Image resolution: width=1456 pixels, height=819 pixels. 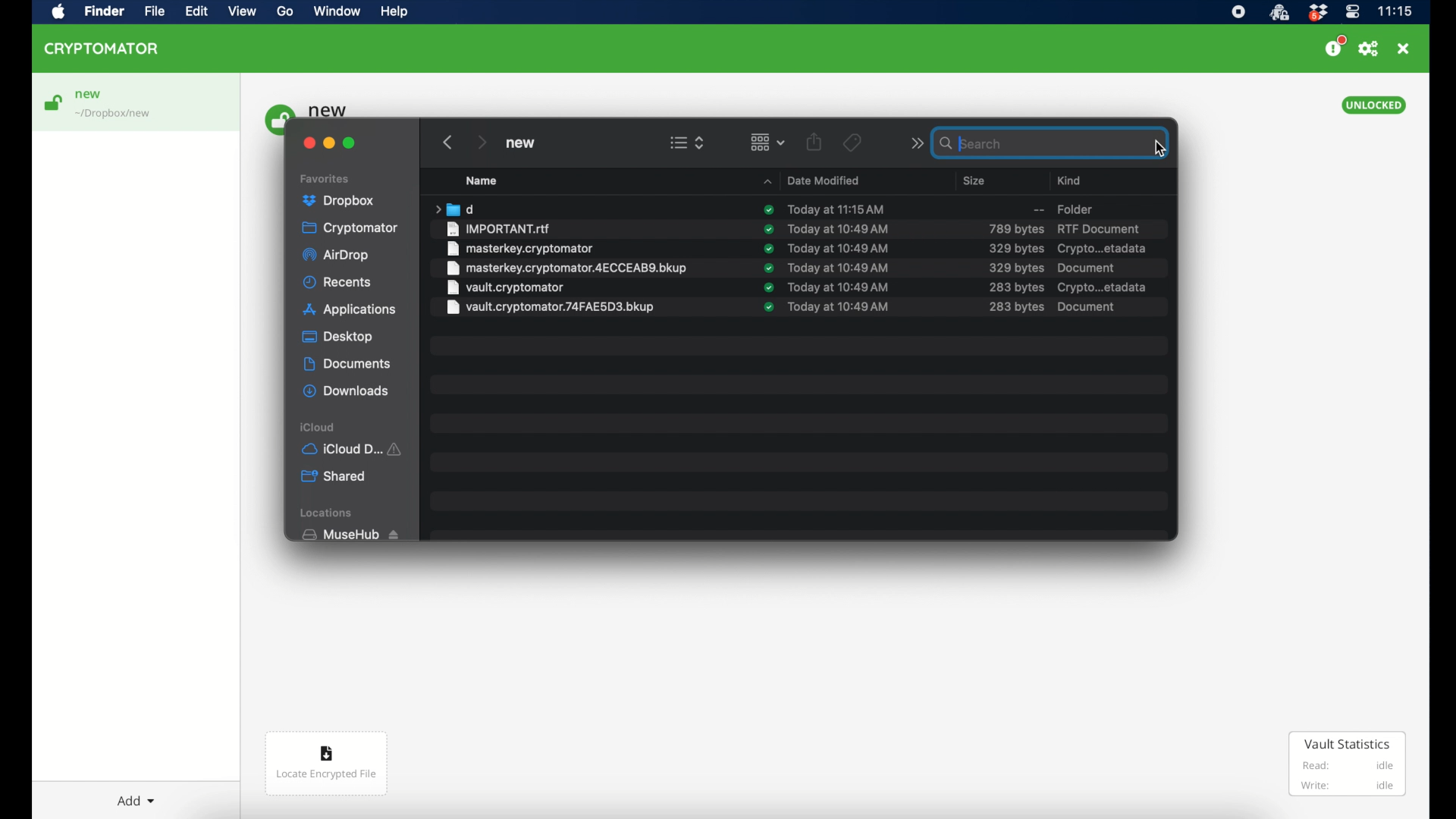 I want to click on help, so click(x=394, y=11).